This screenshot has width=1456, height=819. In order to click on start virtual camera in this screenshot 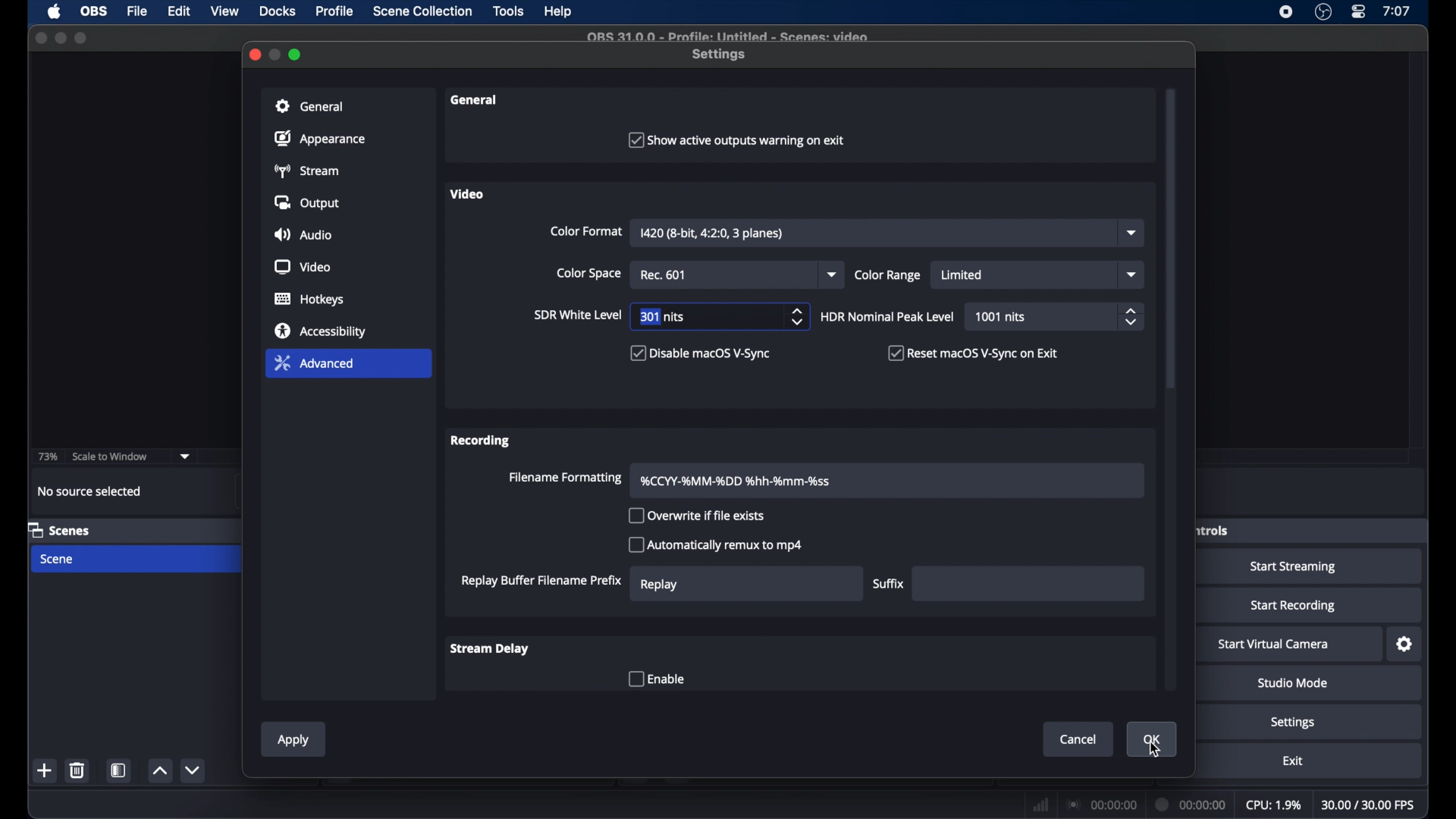, I will do `click(1273, 645)`.